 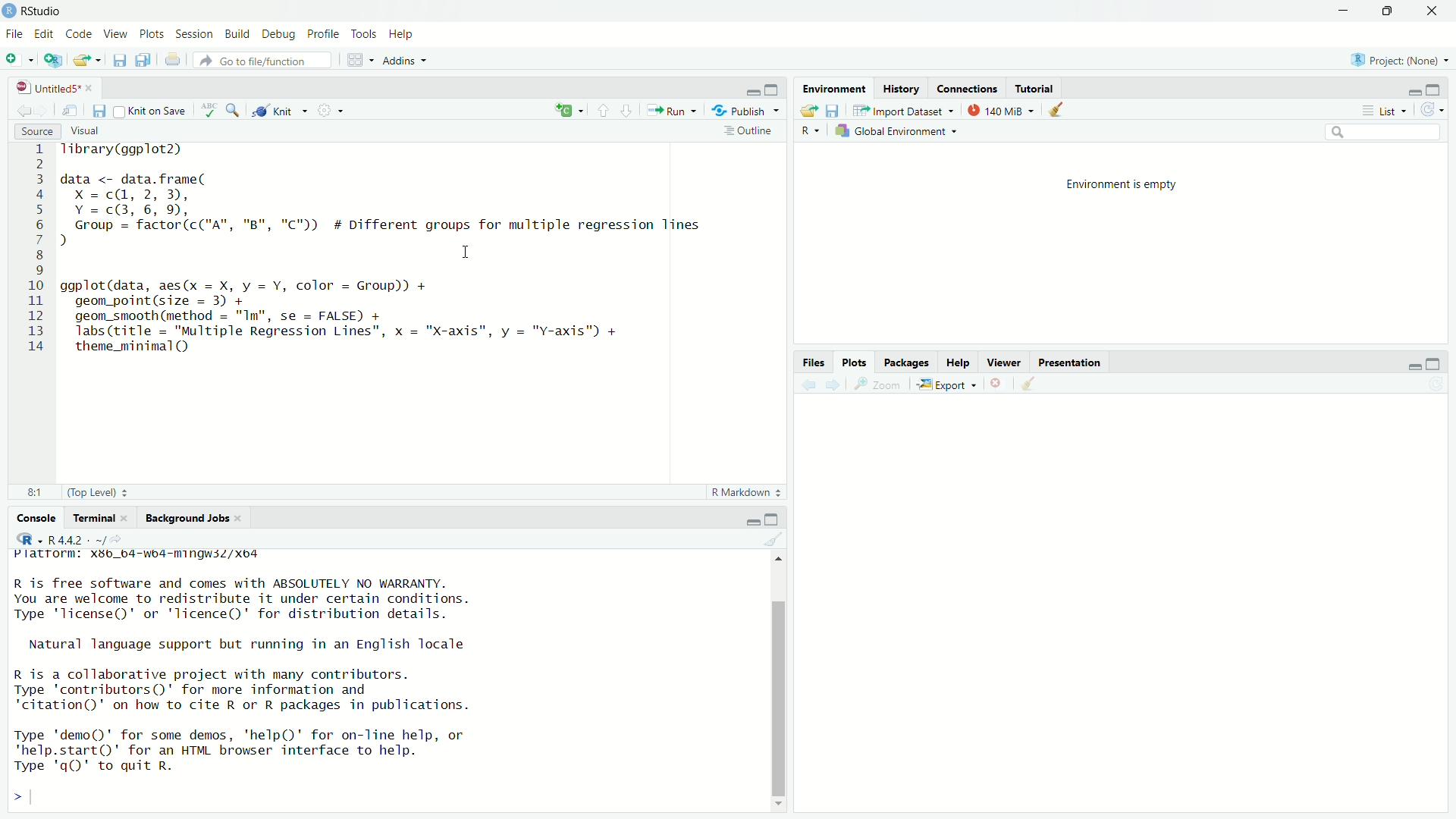 I want to click on upward, so click(x=601, y=109).